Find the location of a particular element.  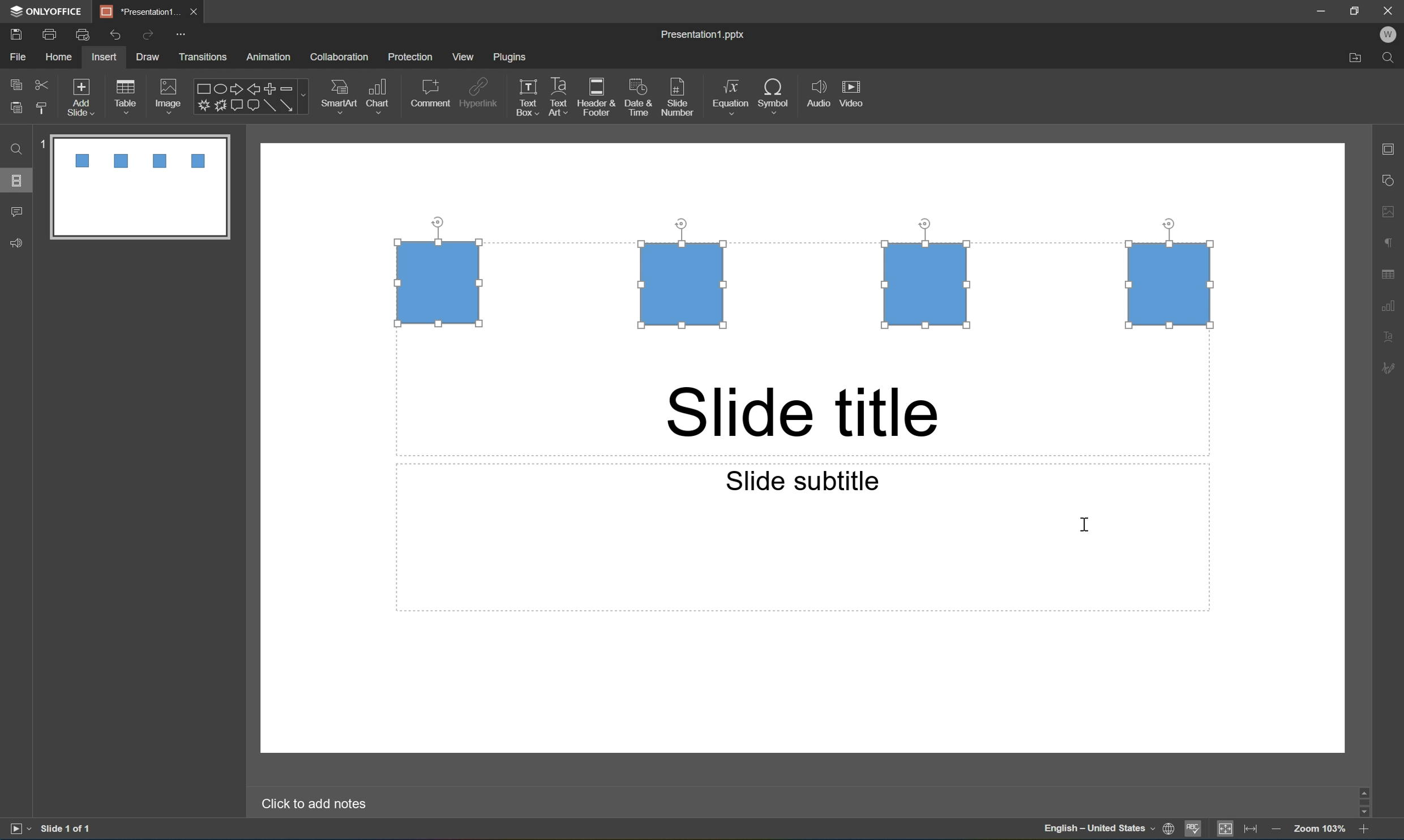

4 squares equally distant is located at coordinates (804, 284).